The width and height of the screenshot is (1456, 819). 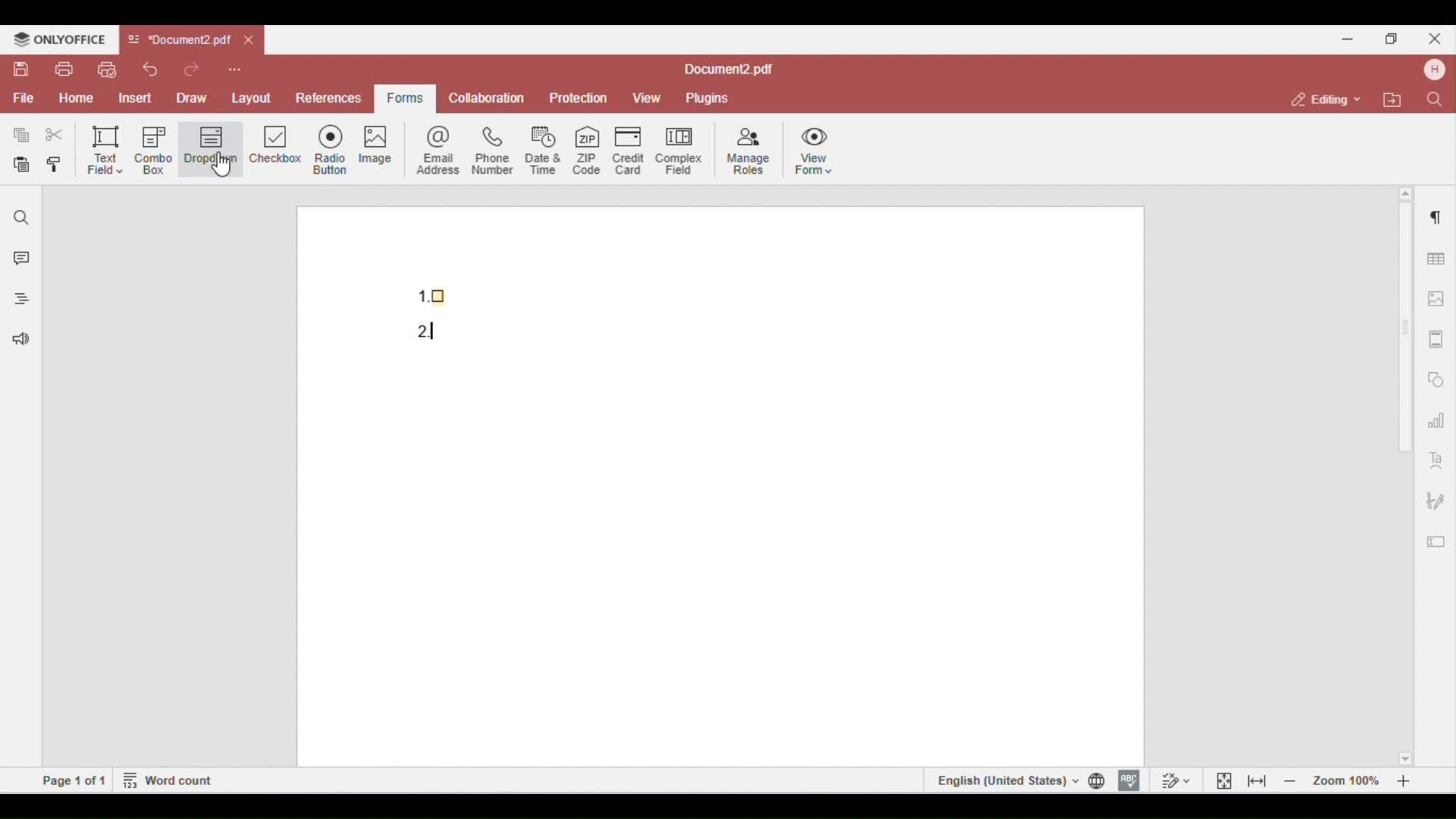 What do you see at coordinates (1395, 38) in the screenshot?
I see `maximize` at bounding box center [1395, 38].